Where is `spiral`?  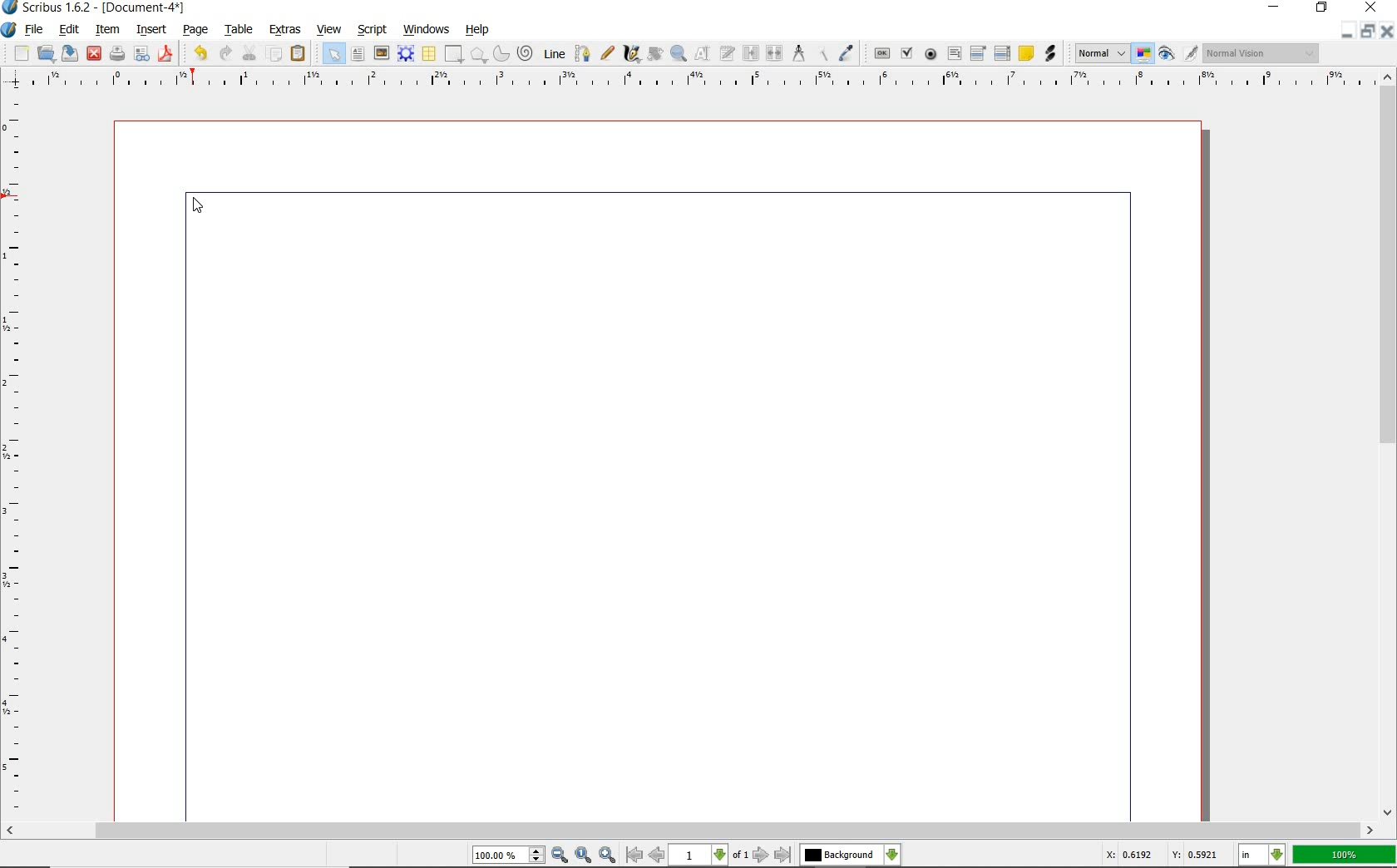
spiral is located at coordinates (526, 53).